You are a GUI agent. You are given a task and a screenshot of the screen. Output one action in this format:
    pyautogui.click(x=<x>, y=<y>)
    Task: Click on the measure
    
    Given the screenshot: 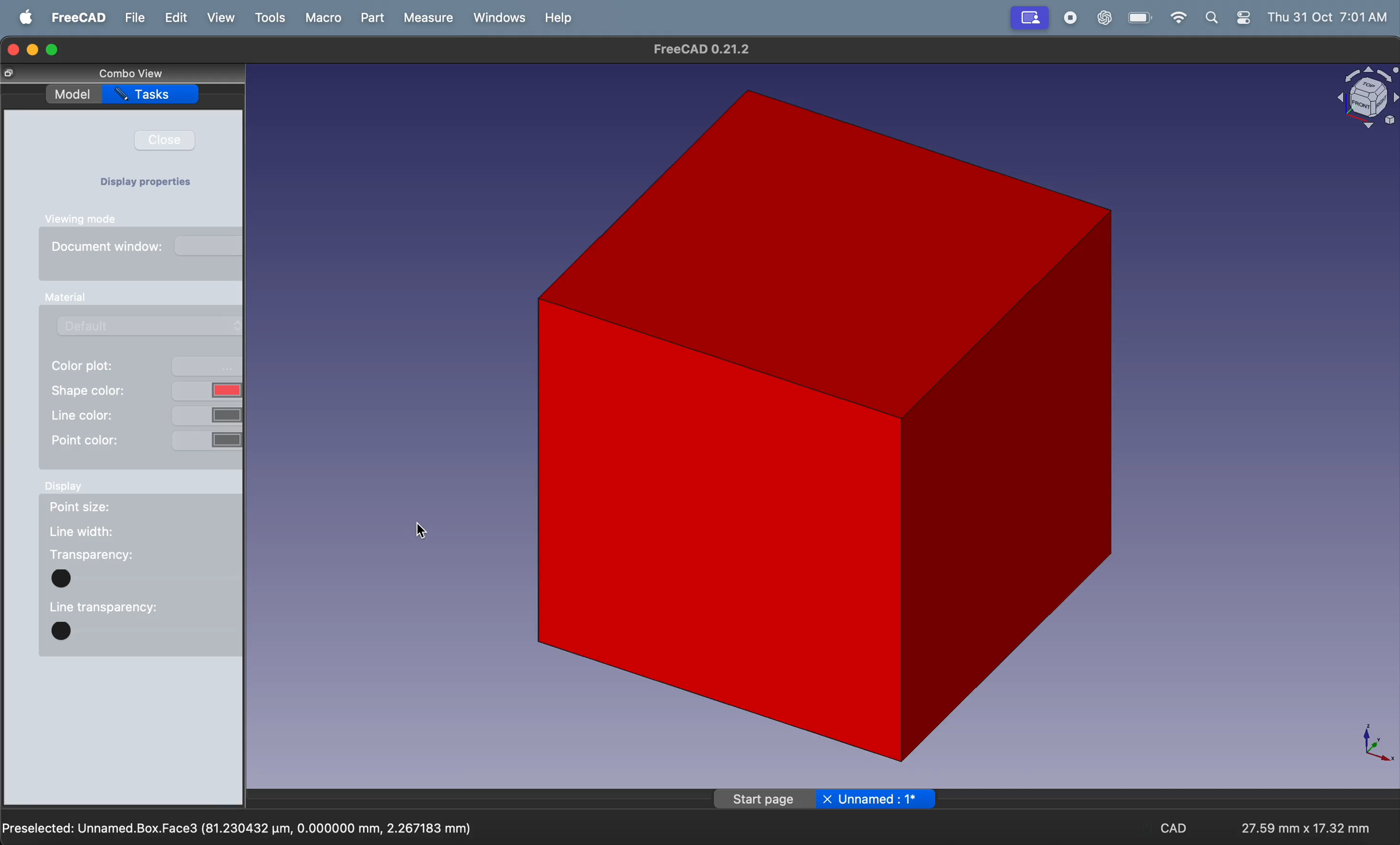 What is the action you would take?
    pyautogui.click(x=427, y=19)
    